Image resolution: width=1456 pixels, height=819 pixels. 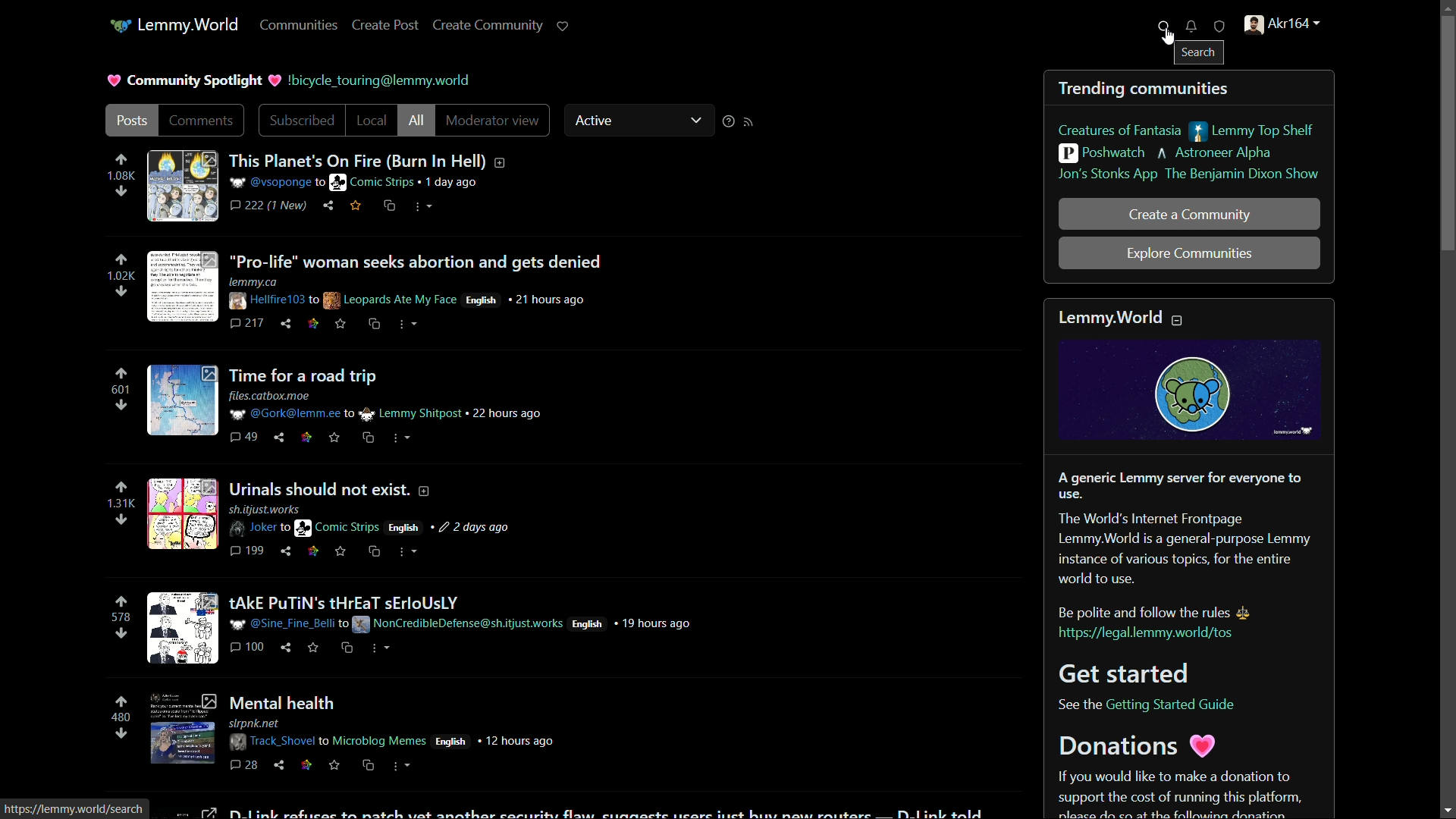 What do you see at coordinates (375, 288) in the screenshot?
I see `post-2` at bounding box center [375, 288].